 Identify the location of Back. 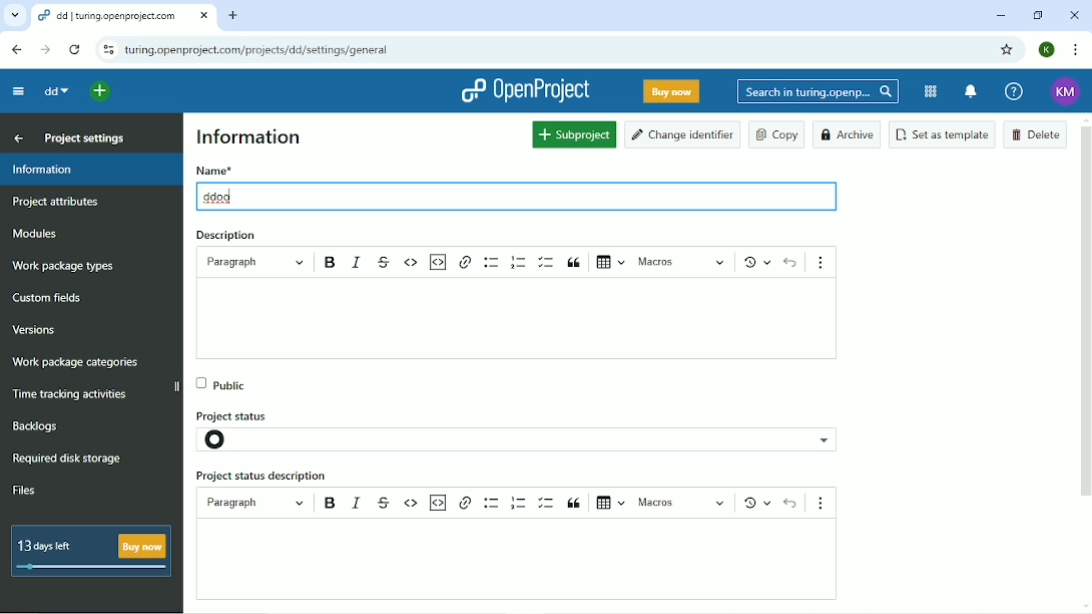
(19, 50).